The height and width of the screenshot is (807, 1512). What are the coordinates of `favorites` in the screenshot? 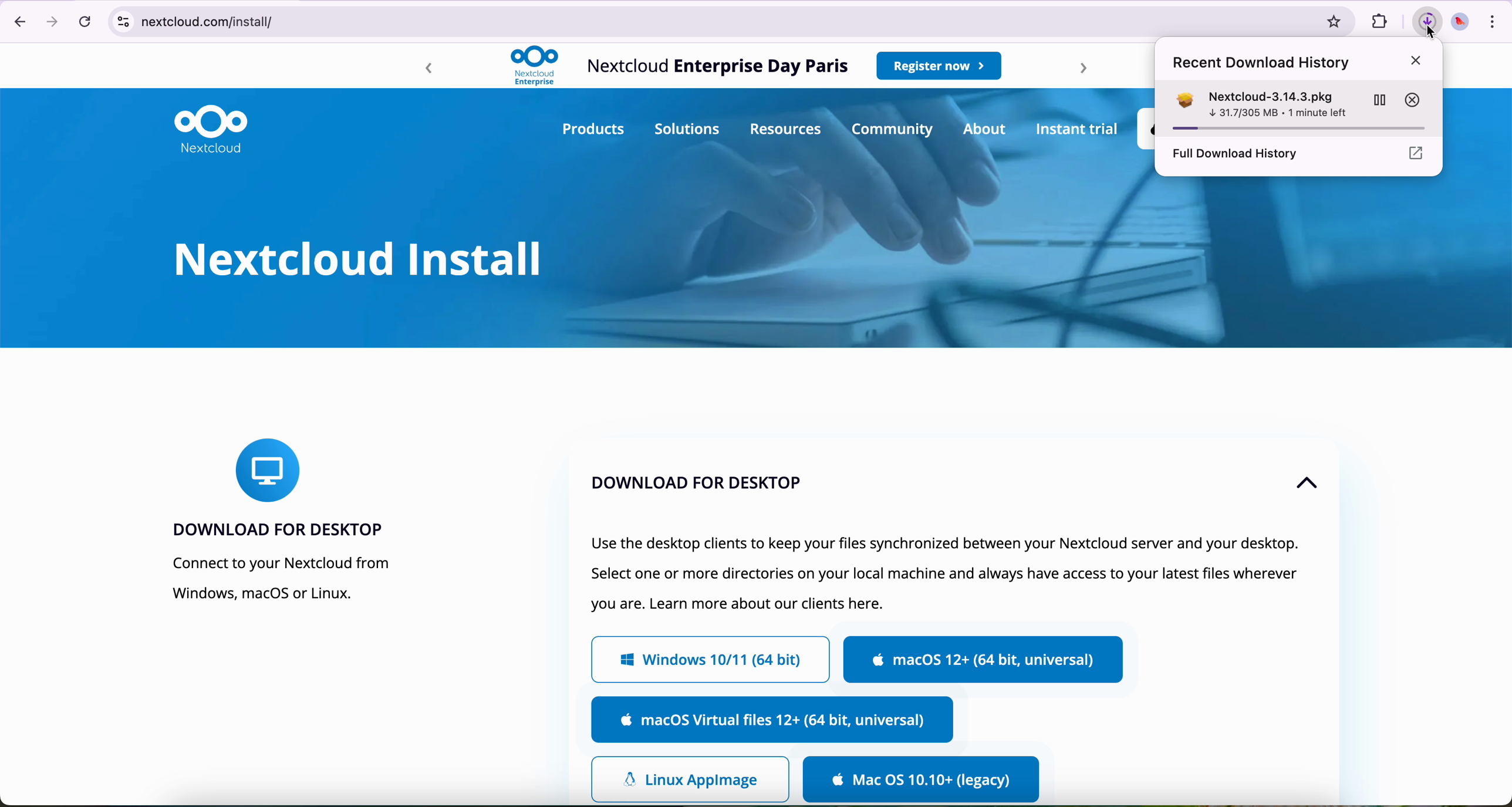 It's located at (1381, 22).